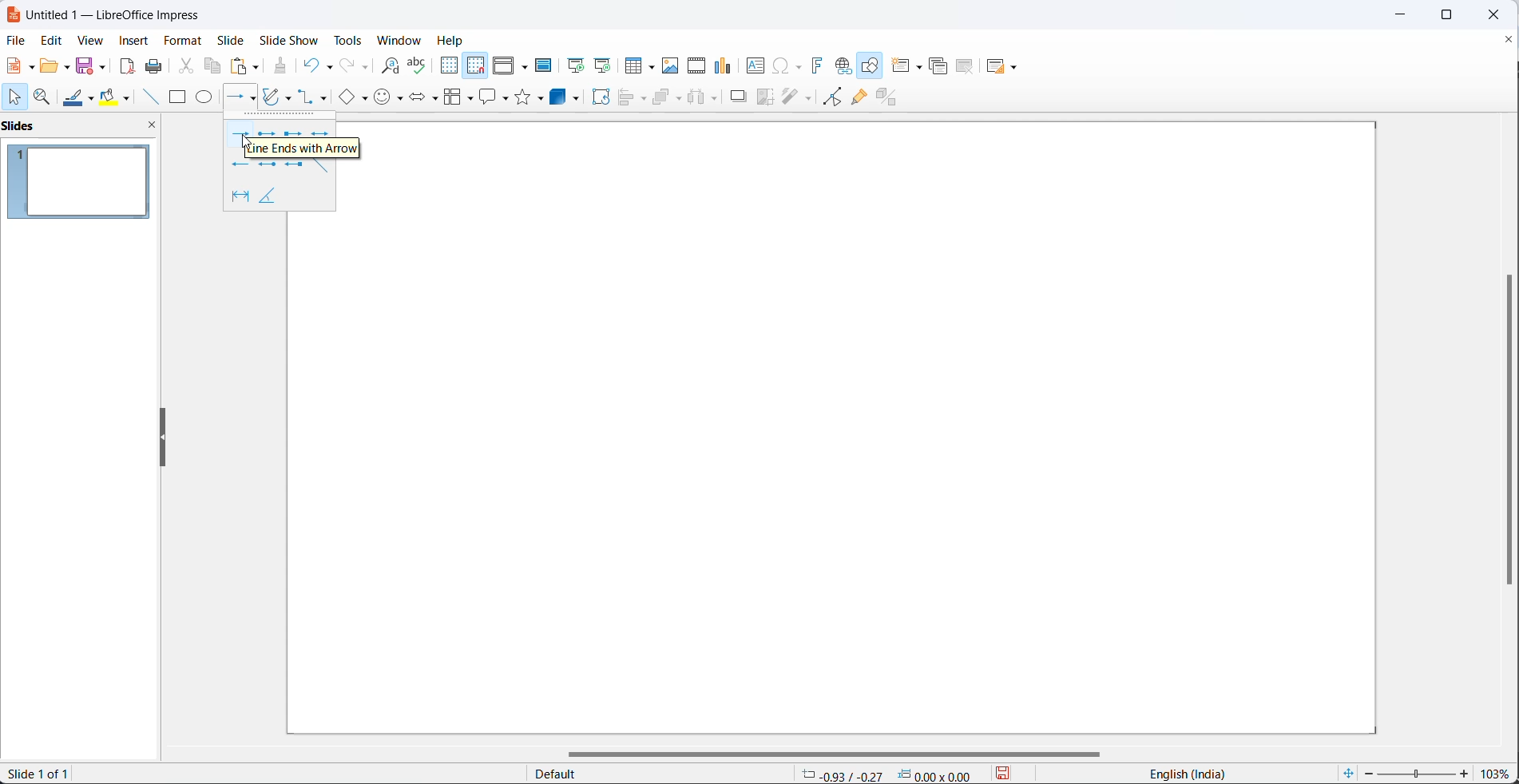 The width and height of the screenshot is (1519, 784). Describe the element at coordinates (723, 65) in the screenshot. I see `insert chart` at that location.